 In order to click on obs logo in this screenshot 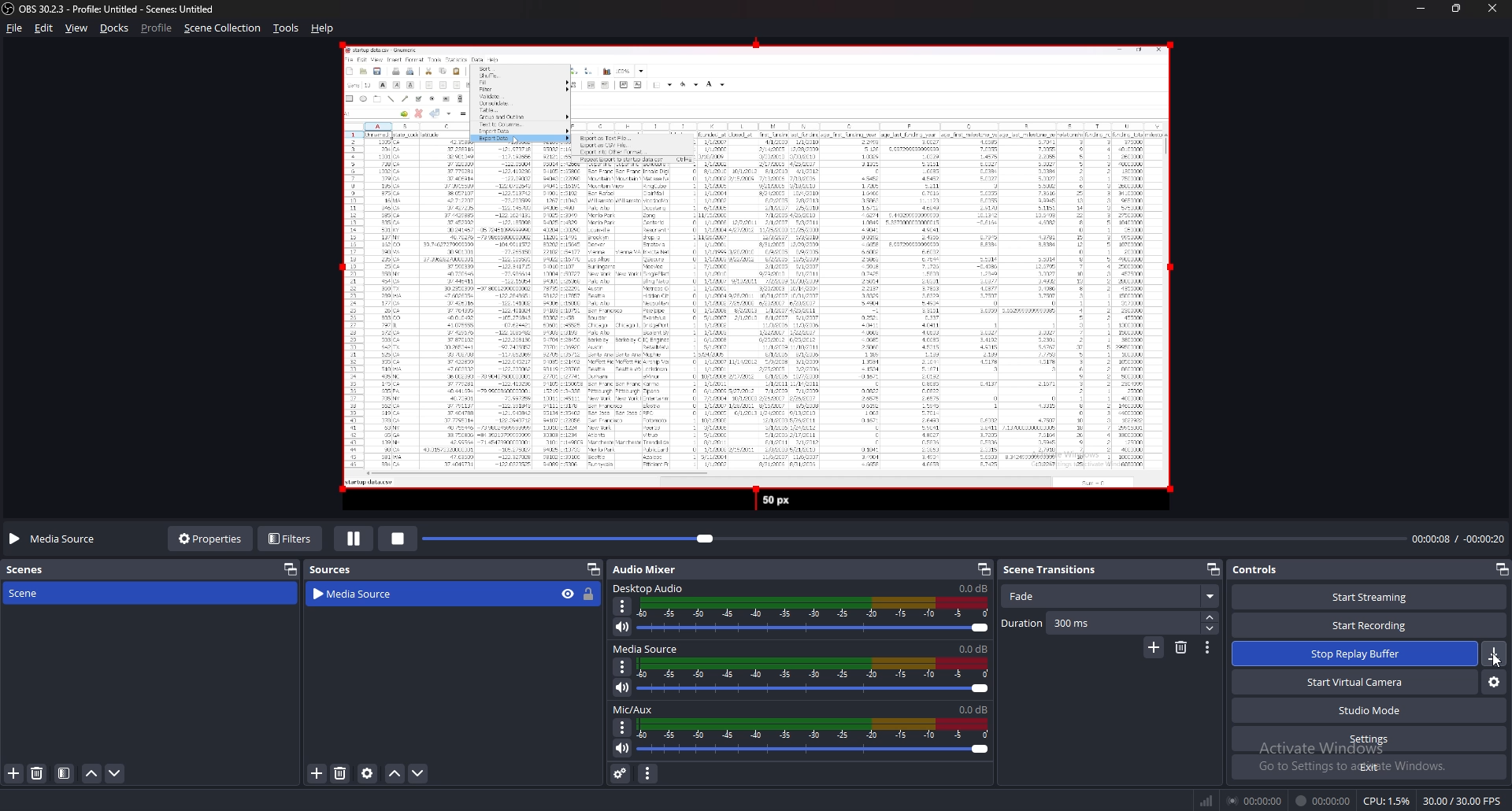, I will do `click(9, 9)`.